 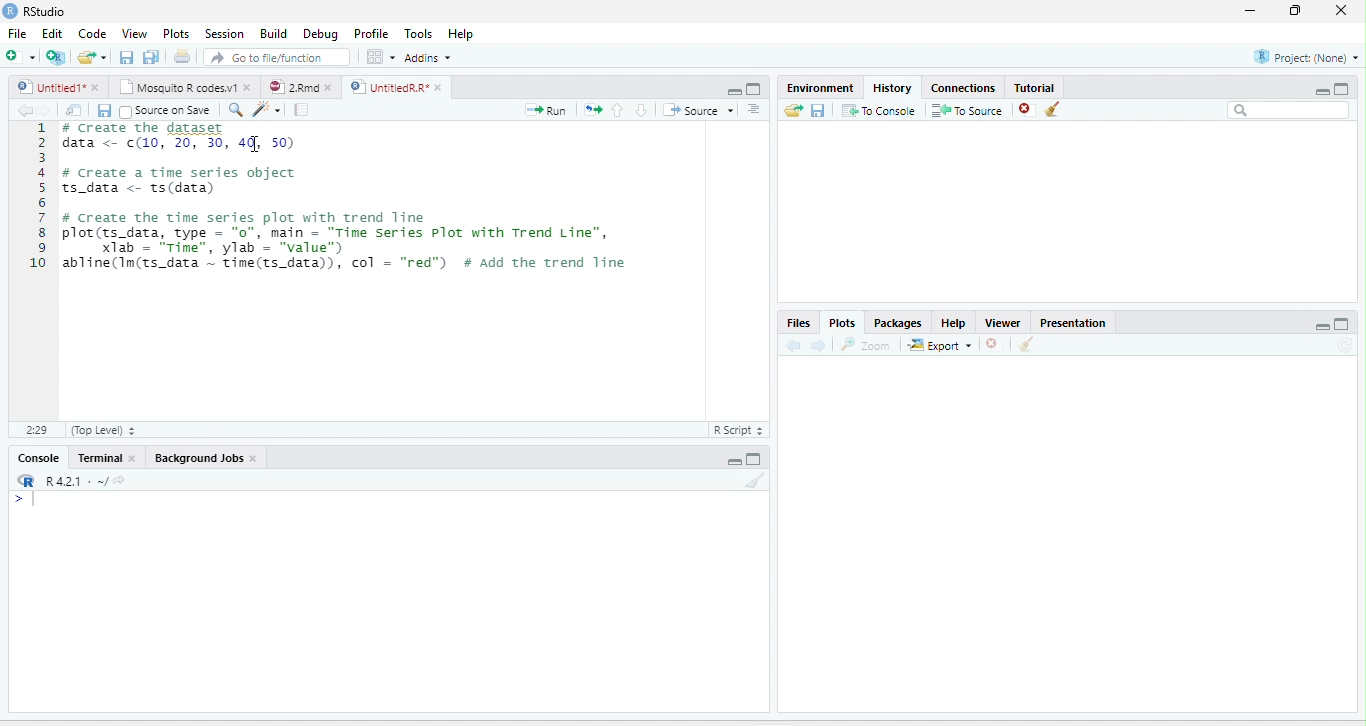 What do you see at coordinates (1073, 321) in the screenshot?
I see `Presentation` at bounding box center [1073, 321].